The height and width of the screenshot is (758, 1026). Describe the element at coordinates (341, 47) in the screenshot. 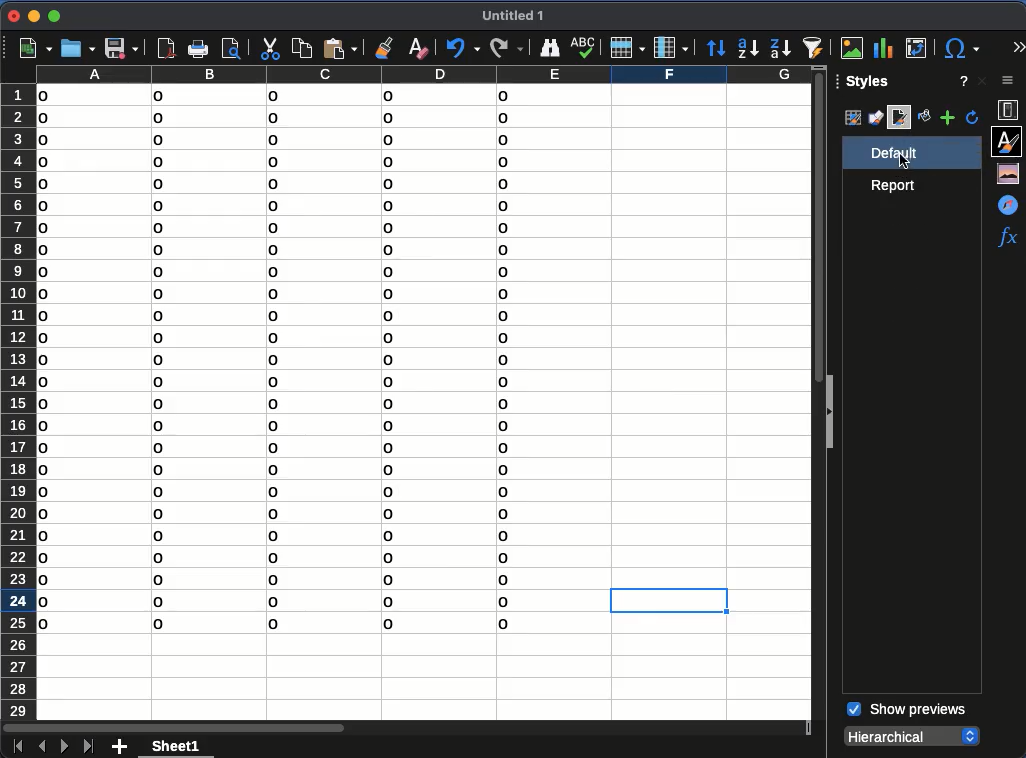

I see `paste` at that location.